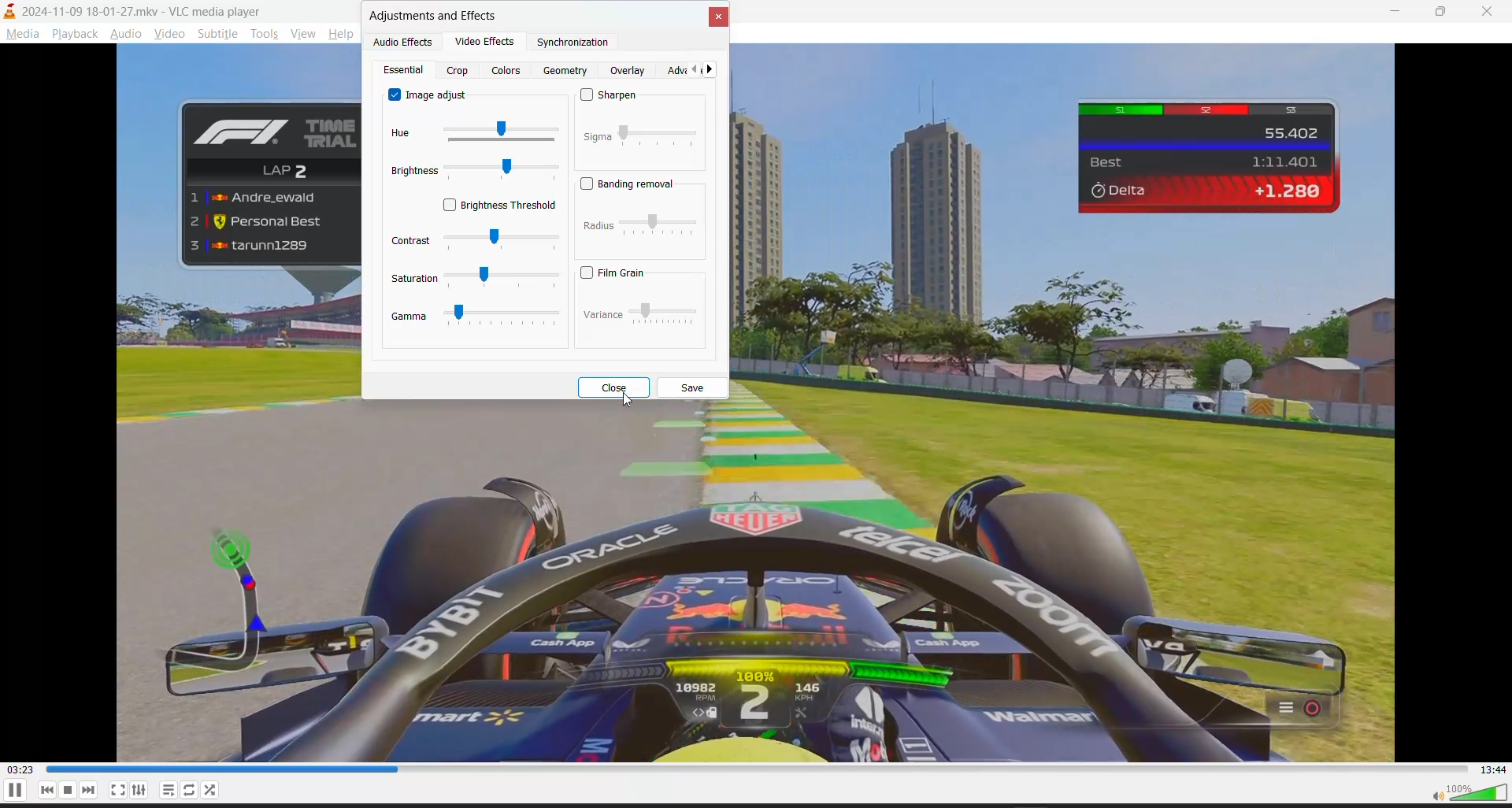 The image size is (1512, 808). What do you see at coordinates (602, 316) in the screenshot?
I see `Variance` at bounding box center [602, 316].